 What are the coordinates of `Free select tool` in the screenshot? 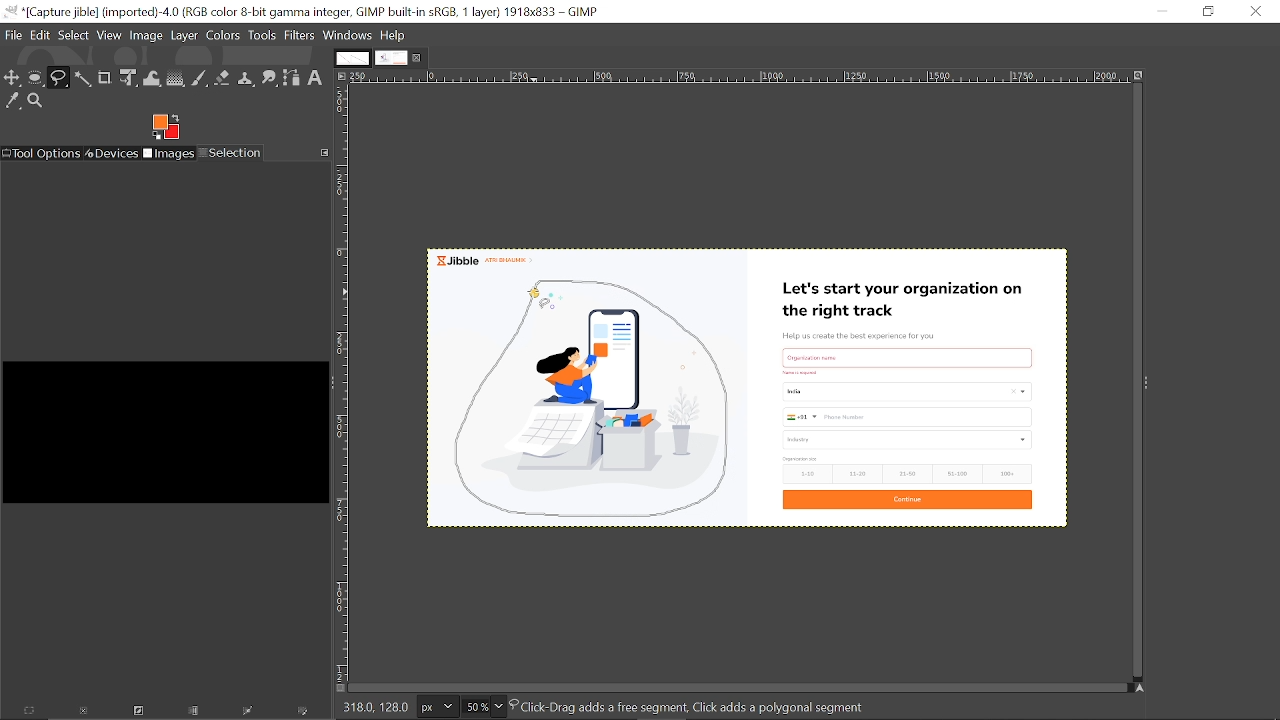 It's located at (59, 78).